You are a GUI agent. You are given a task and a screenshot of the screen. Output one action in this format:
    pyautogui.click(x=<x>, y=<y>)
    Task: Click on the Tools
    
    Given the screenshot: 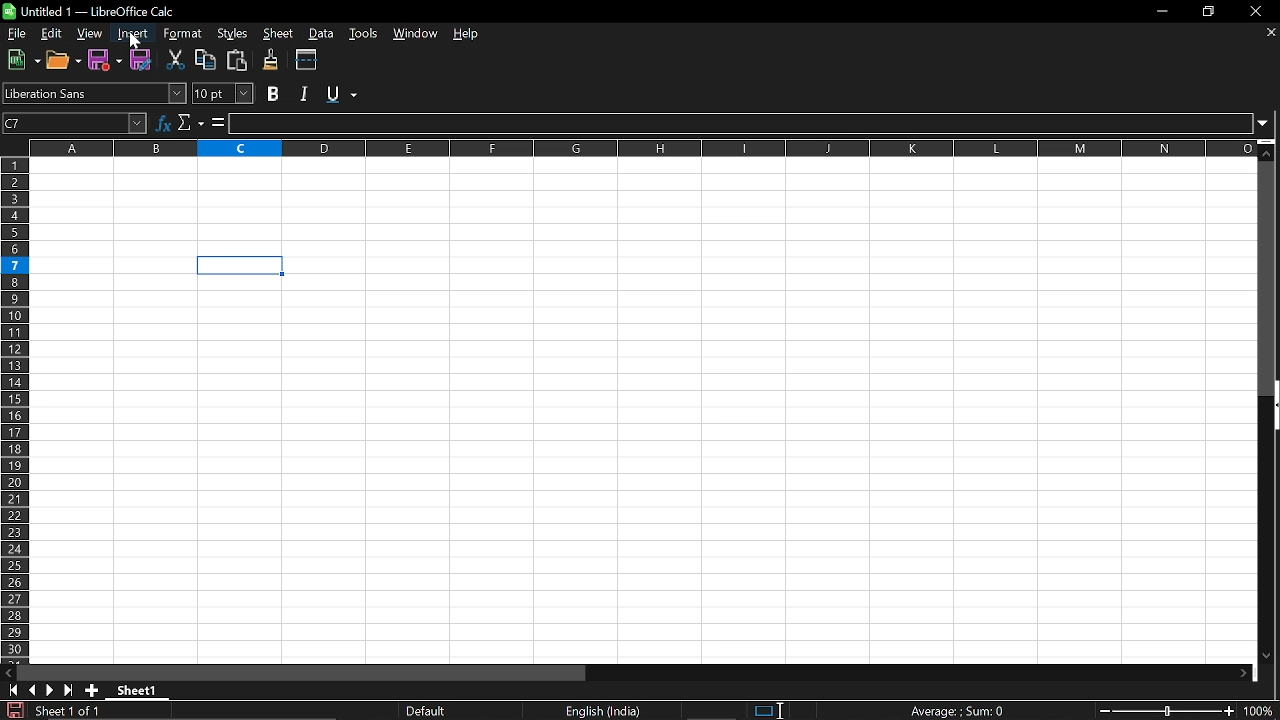 What is the action you would take?
    pyautogui.click(x=362, y=34)
    